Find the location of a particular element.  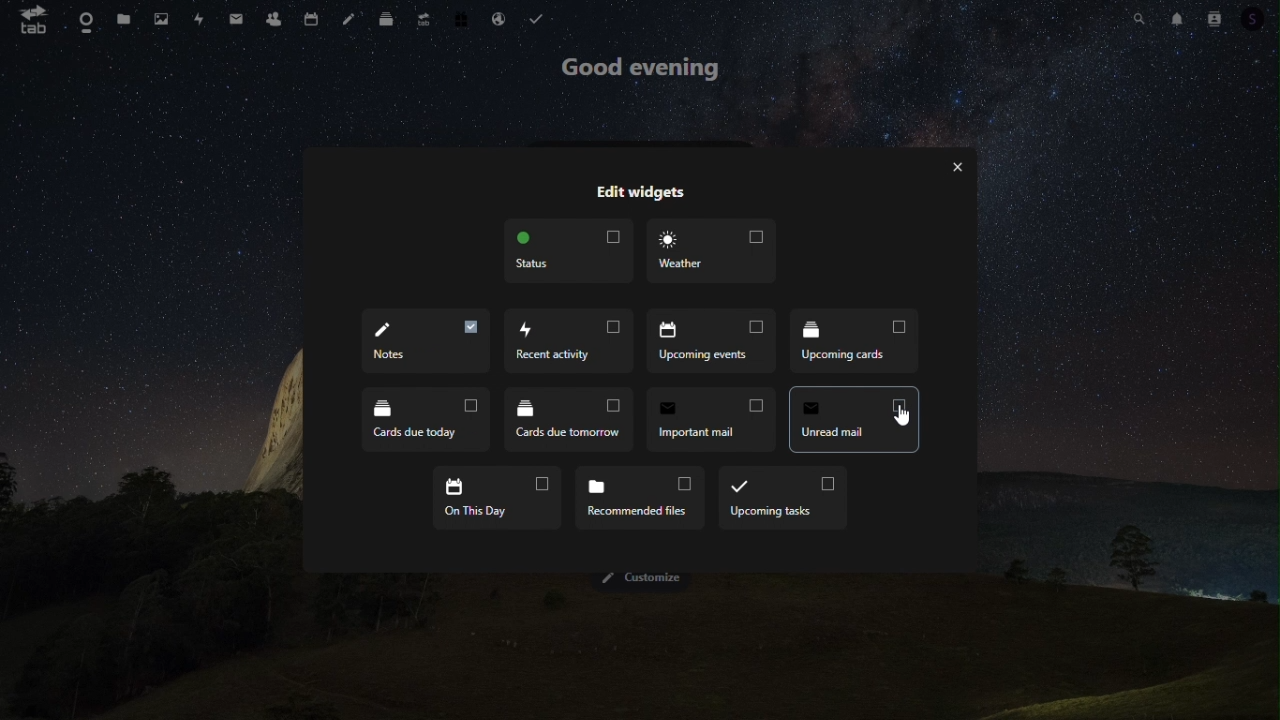

Notes  is located at coordinates (350, 19).